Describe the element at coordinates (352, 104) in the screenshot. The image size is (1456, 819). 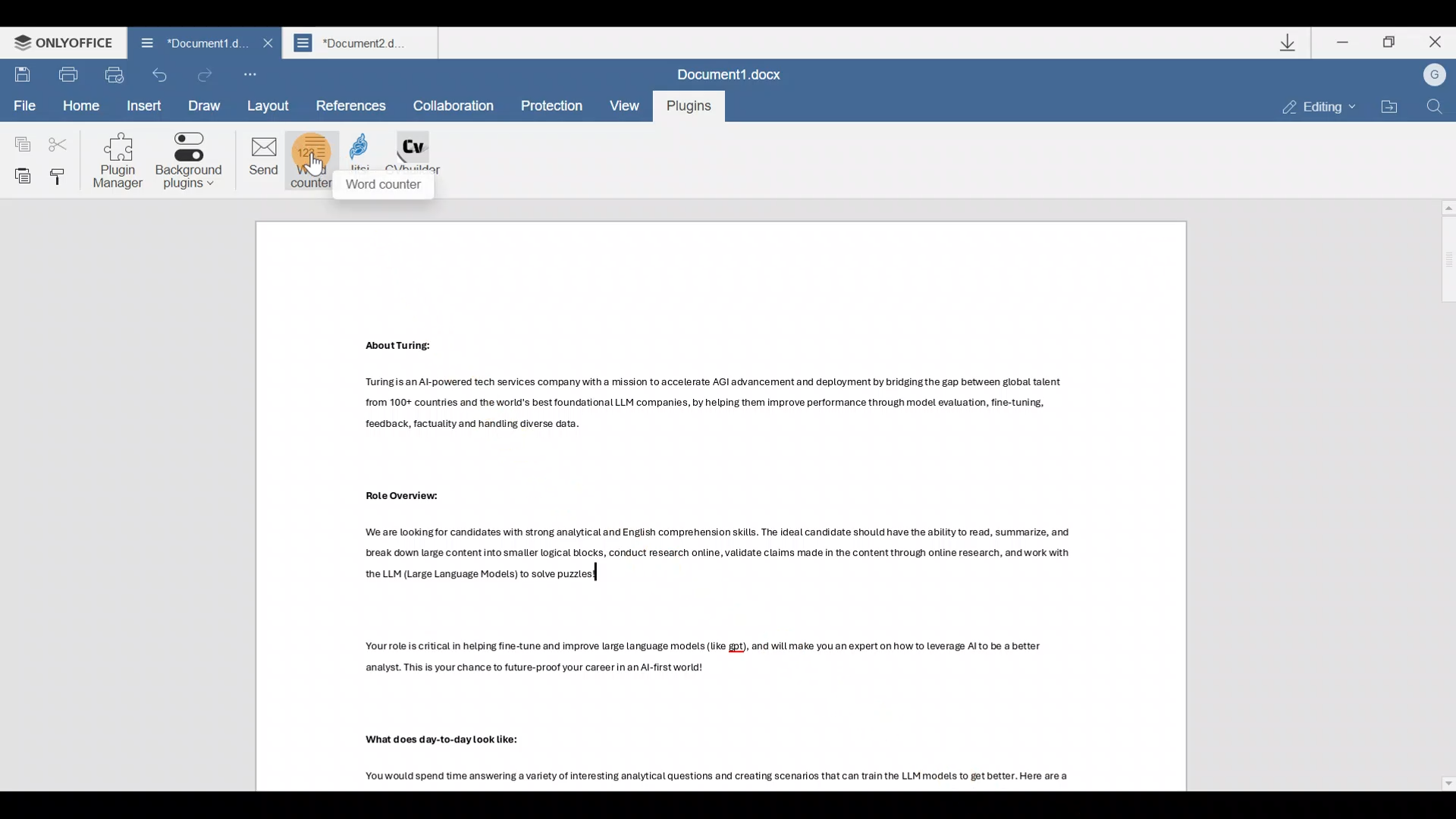
I see `References` at that location.